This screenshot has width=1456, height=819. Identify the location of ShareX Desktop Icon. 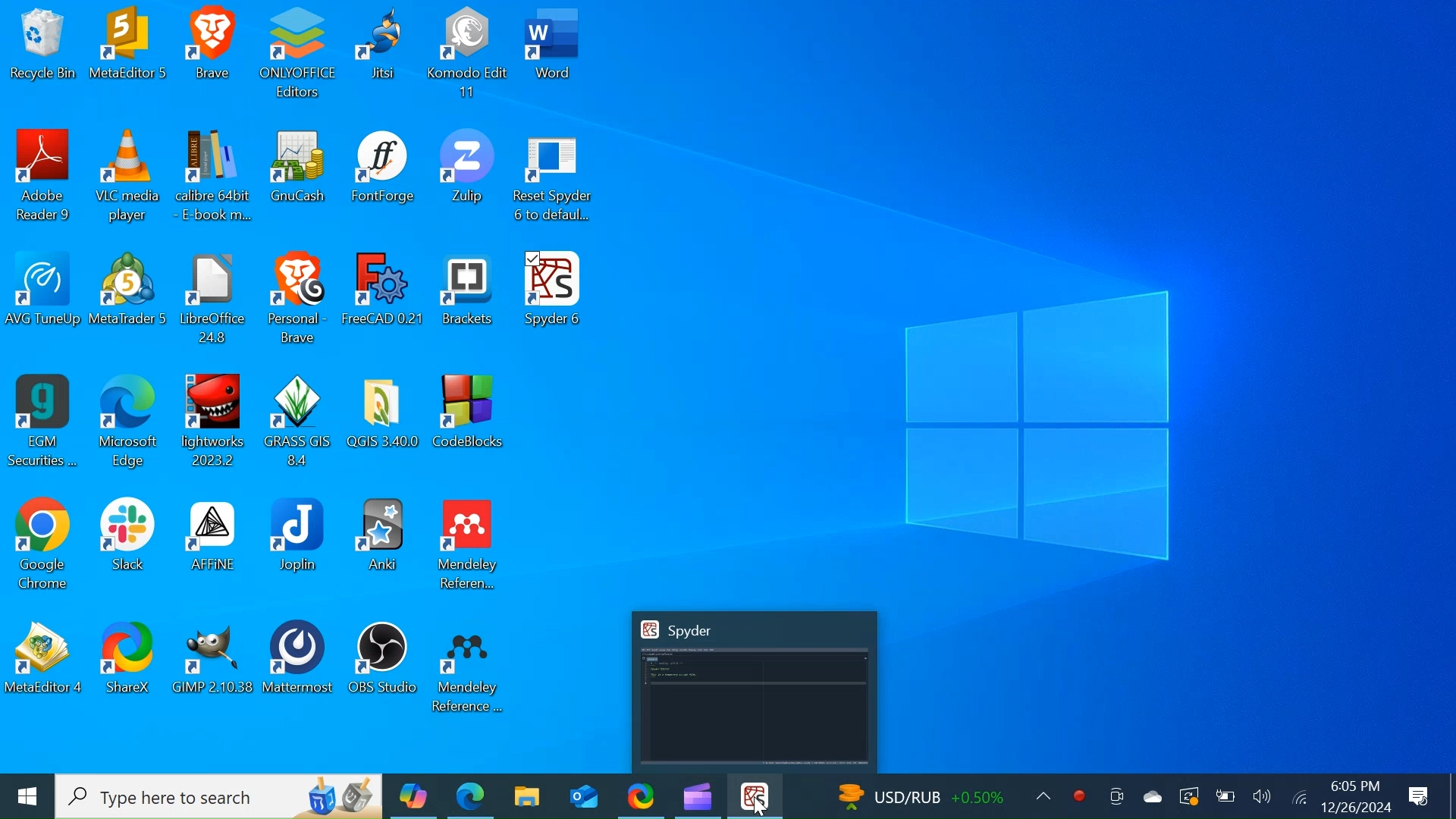
(126, 665).